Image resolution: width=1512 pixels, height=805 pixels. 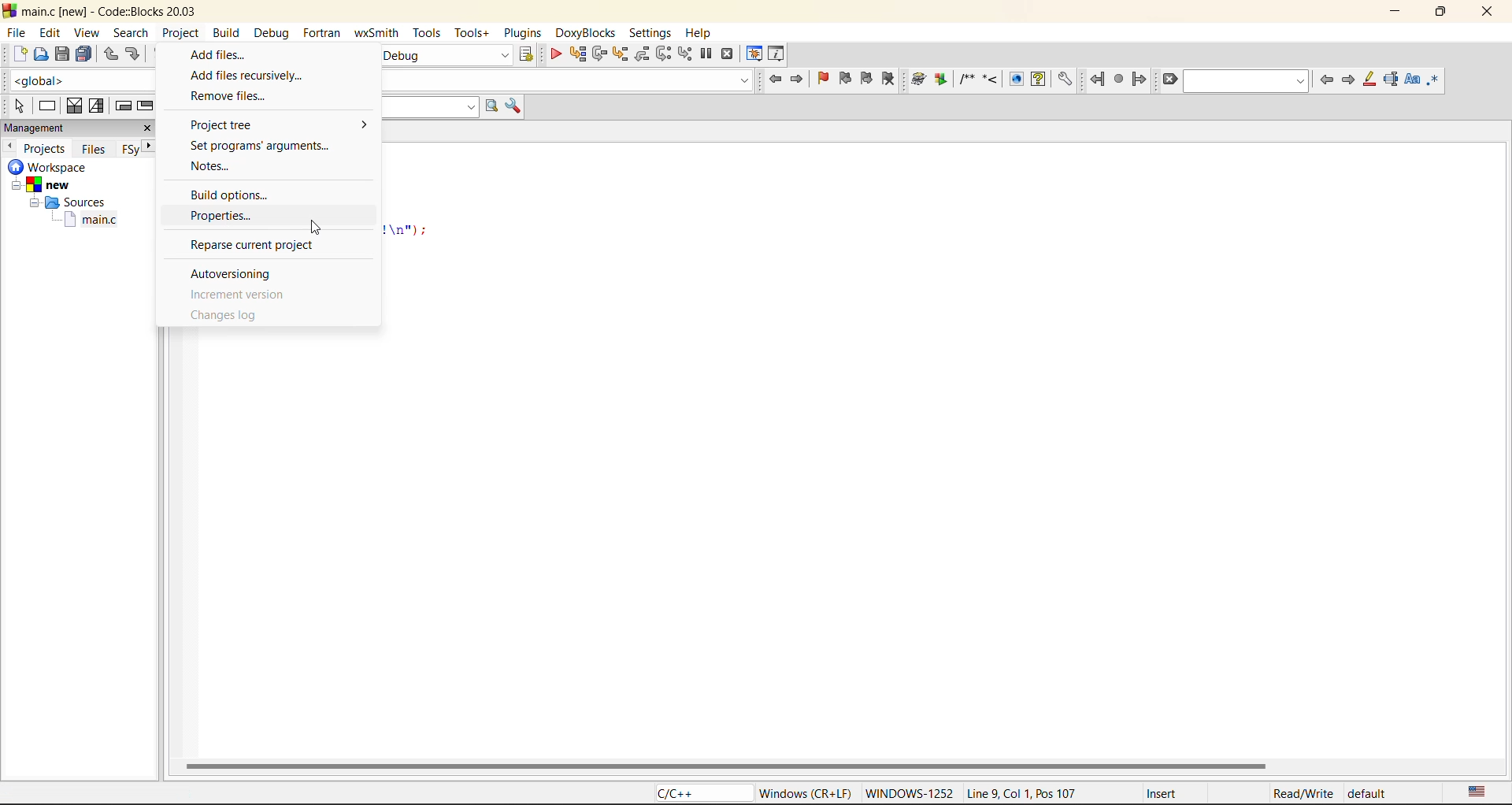 I want to click on Sources, so click(x=65, y=202).